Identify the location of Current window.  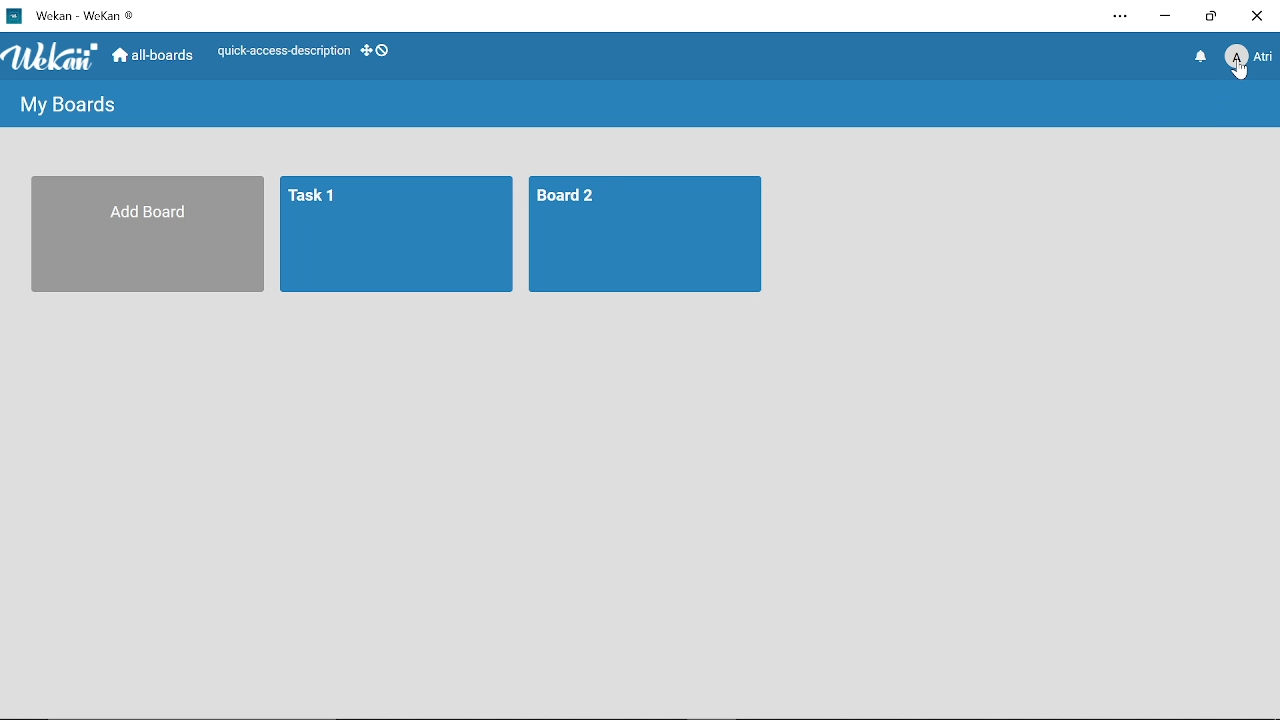
(78, 15).